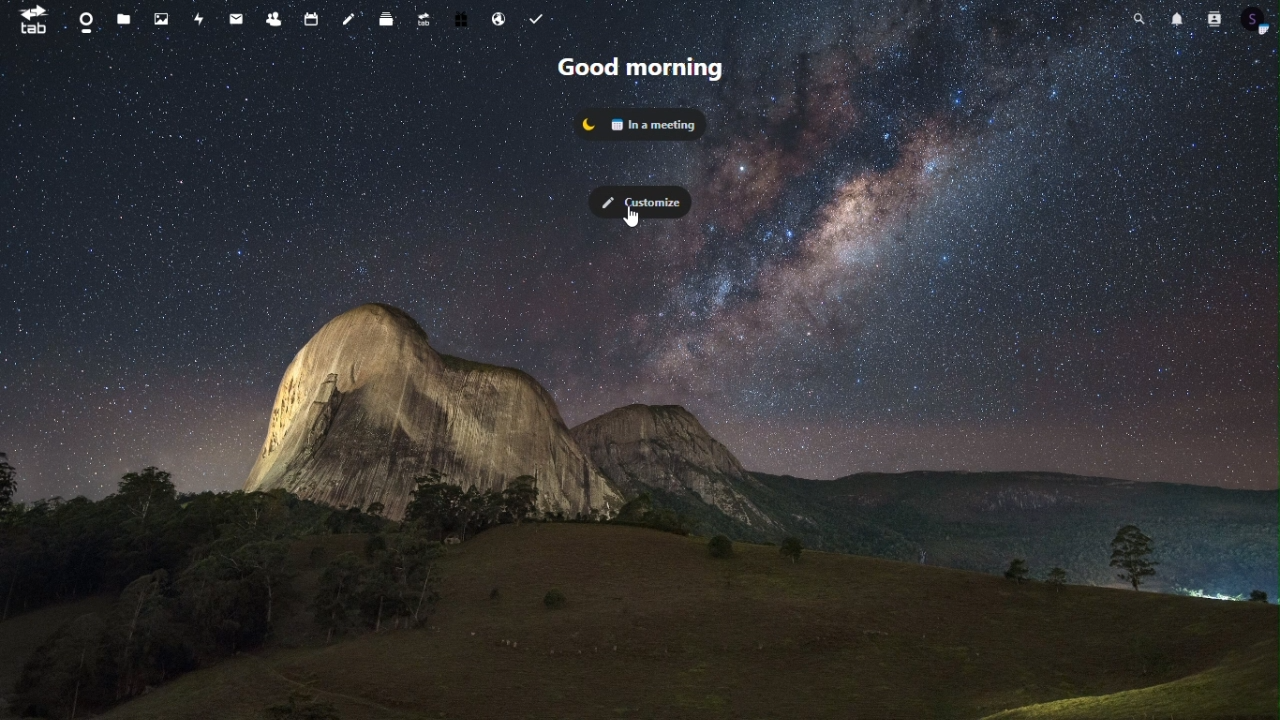 The height and width of the screenshot is (720, 1280). What do you see at coordinates (1140, 21) in the screenshot?
I see `search` at bounding box center [1140, 21].